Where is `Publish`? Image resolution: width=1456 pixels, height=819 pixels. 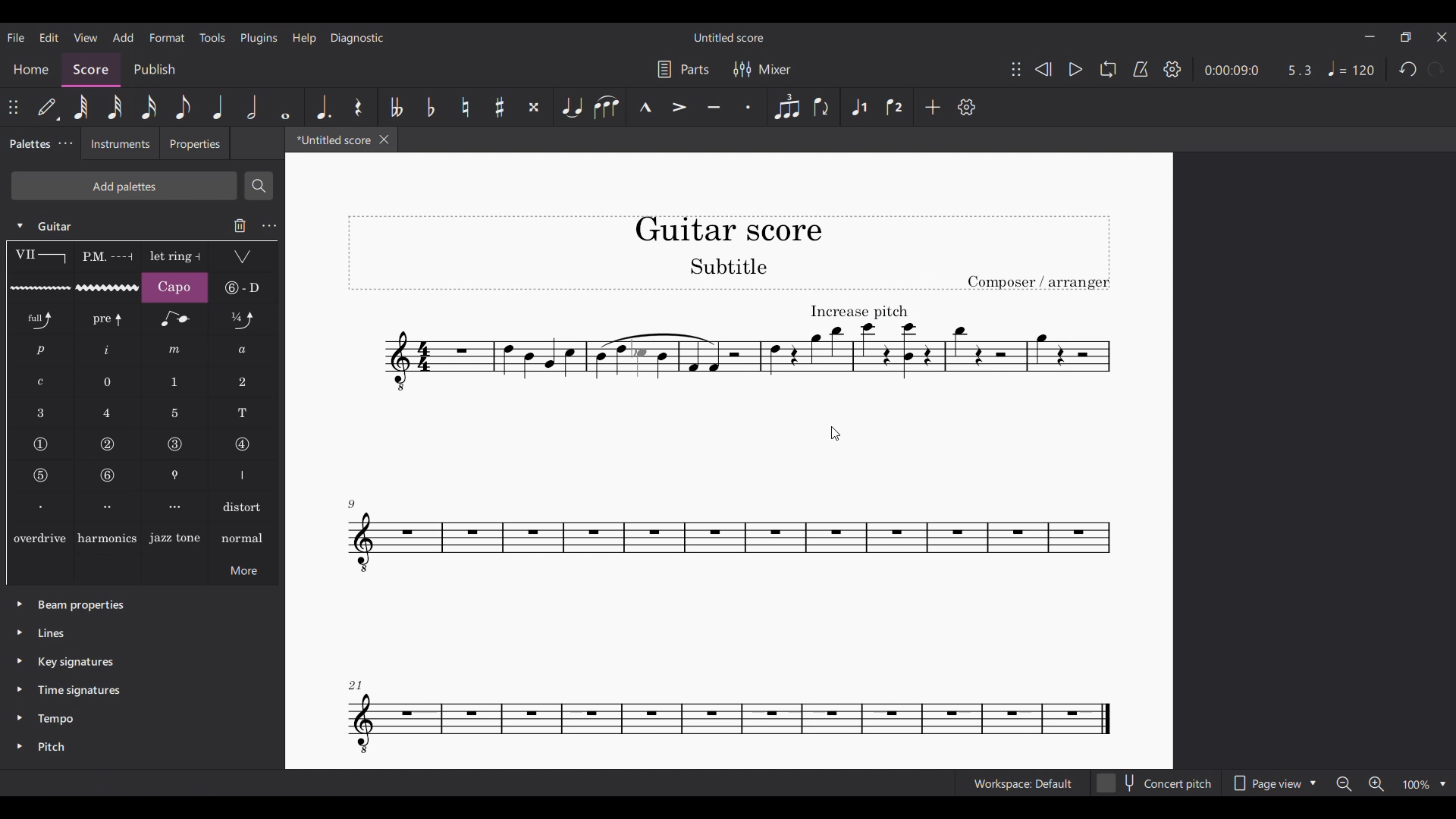 Publish is located at coordinates (155, 71).